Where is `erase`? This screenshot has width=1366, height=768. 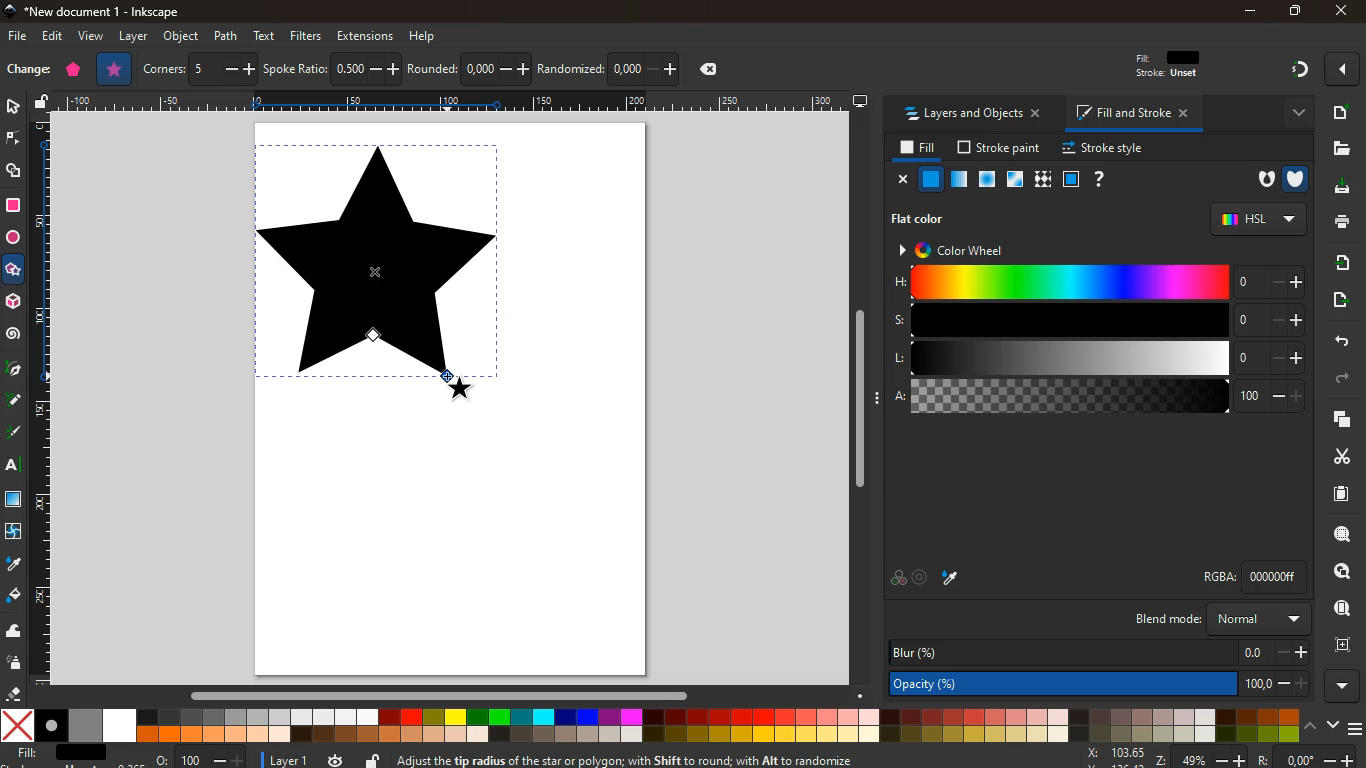
erase is located at coordinates (14, 692).